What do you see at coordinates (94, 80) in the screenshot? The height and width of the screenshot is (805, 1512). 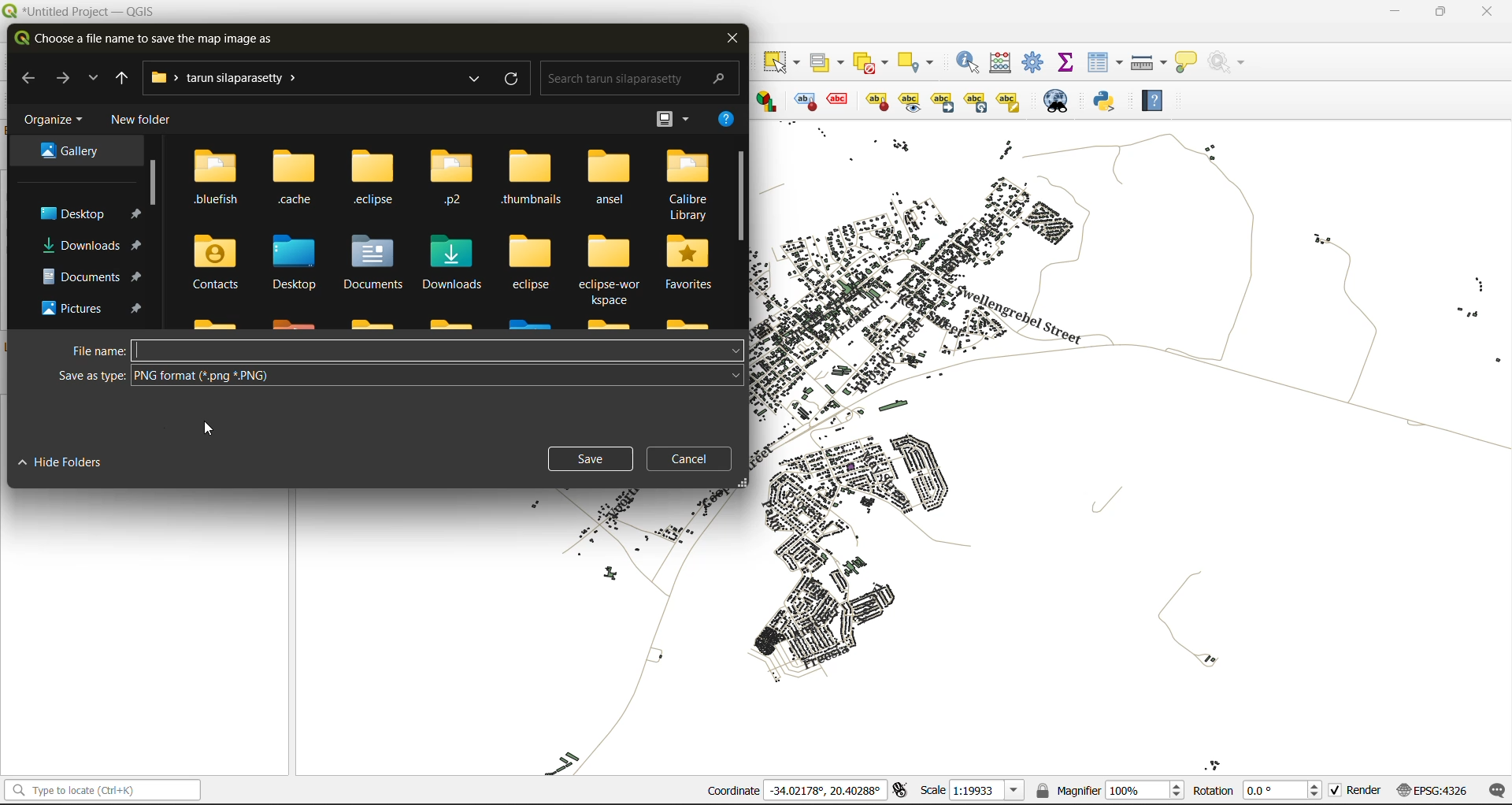 I see `explore` at bounding box center [94, 80].